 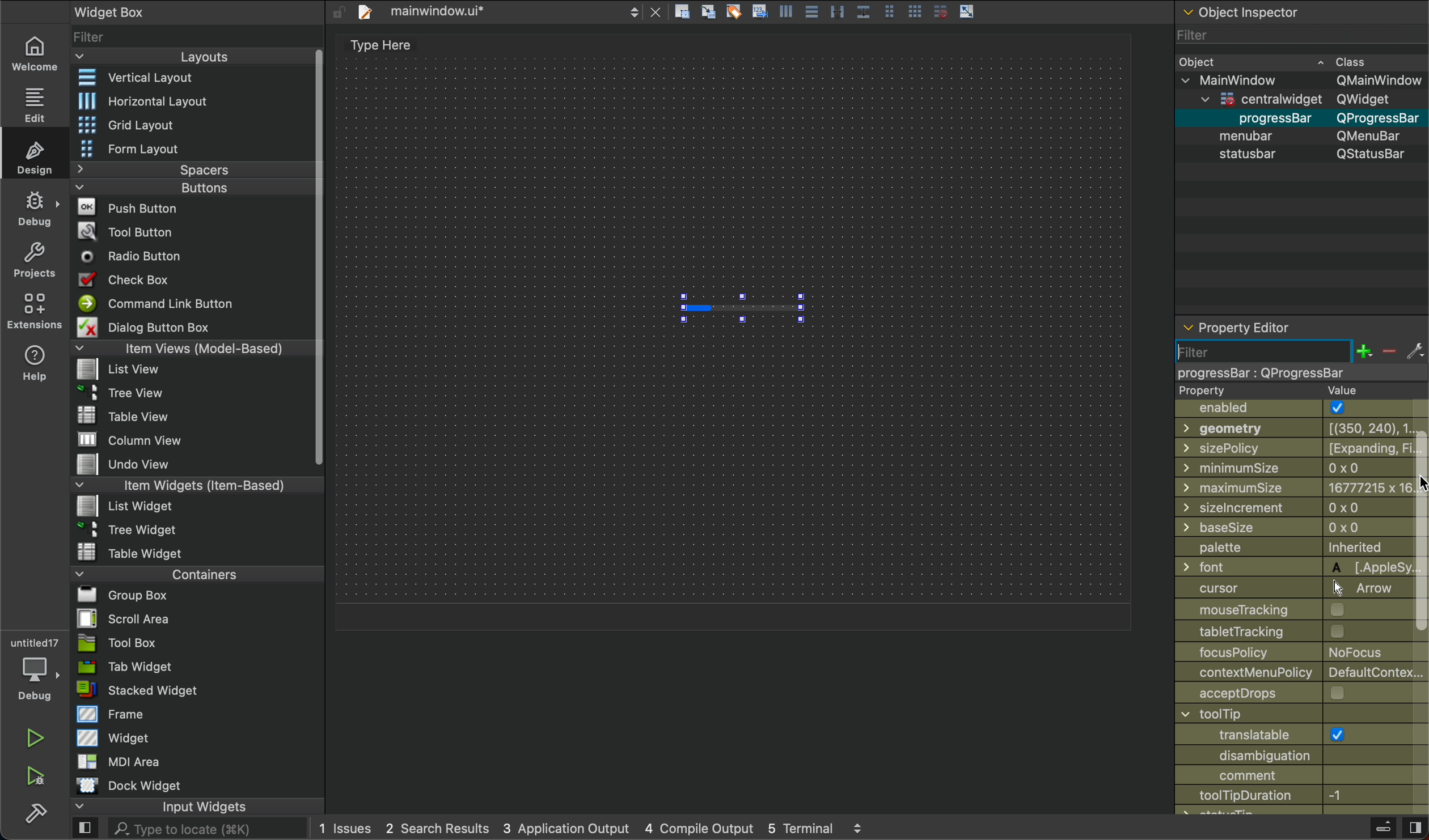 What do you see at coordinates (1300, 12) in the screenshot?
I see `object inspector` at bounding box center [1300, 12].